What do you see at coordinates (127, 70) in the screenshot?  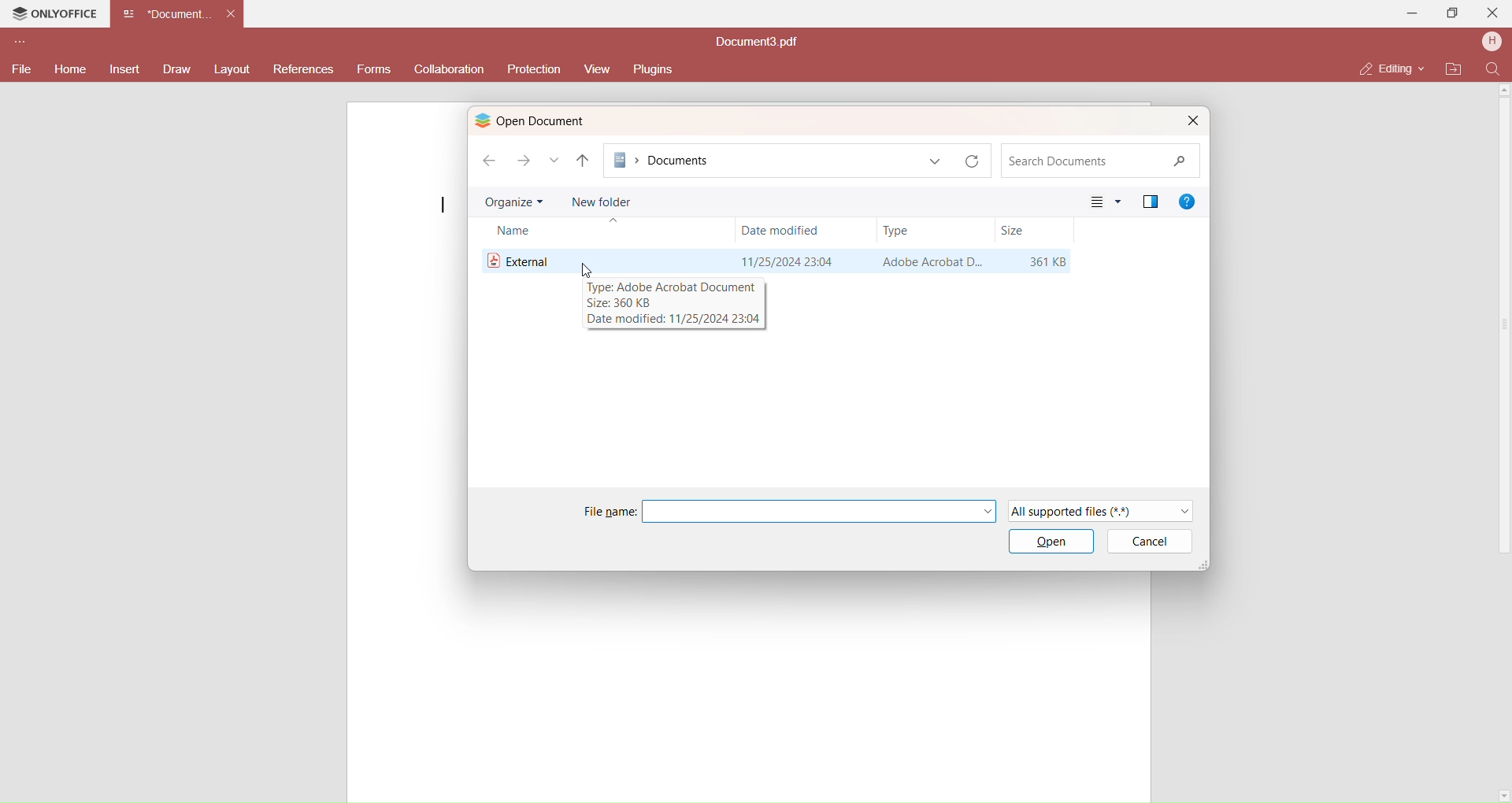 I see `Insert` at bounding box center [127, 70].